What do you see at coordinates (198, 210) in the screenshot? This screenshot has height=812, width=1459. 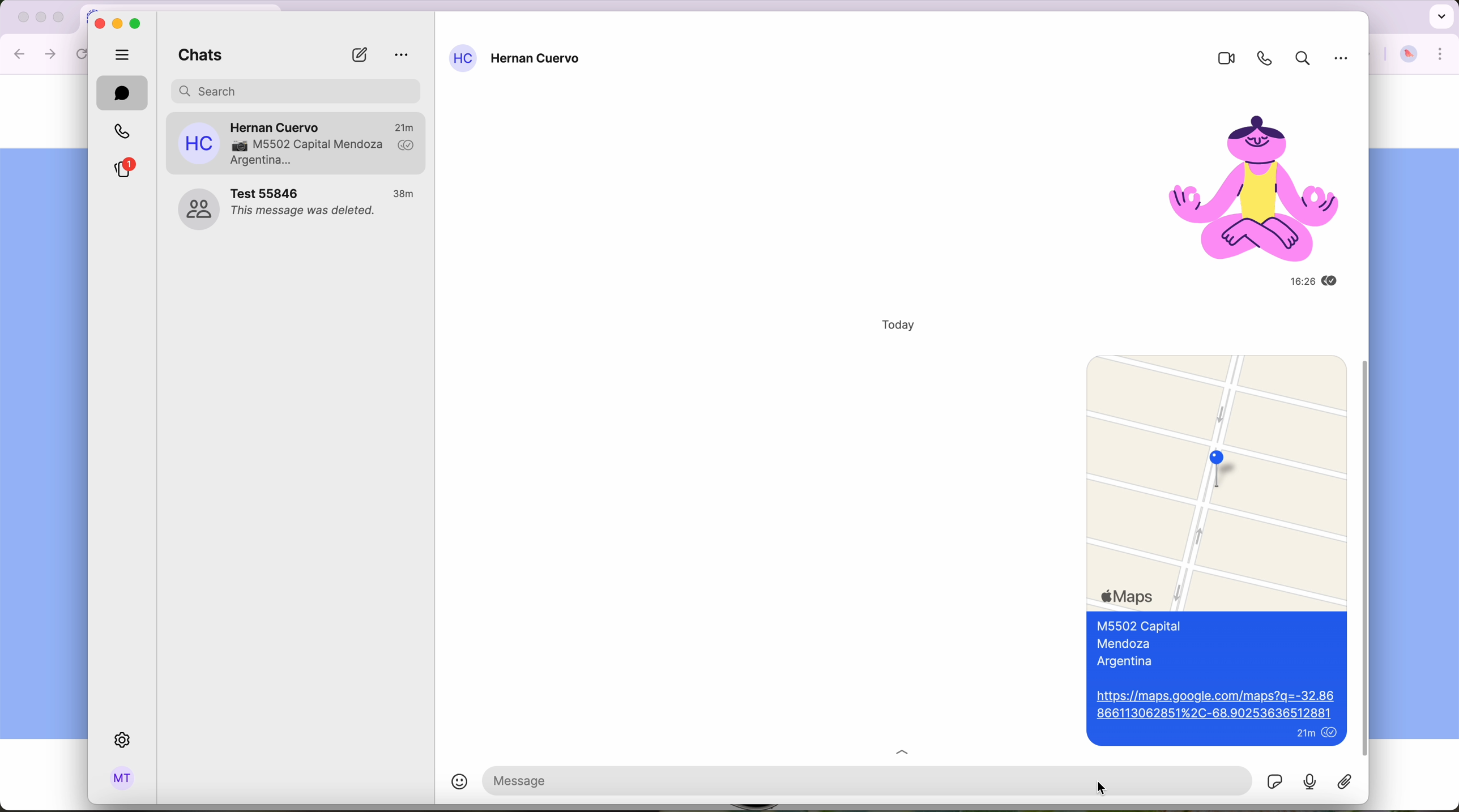 I see `00
ca` at bounding box center [198, 210].